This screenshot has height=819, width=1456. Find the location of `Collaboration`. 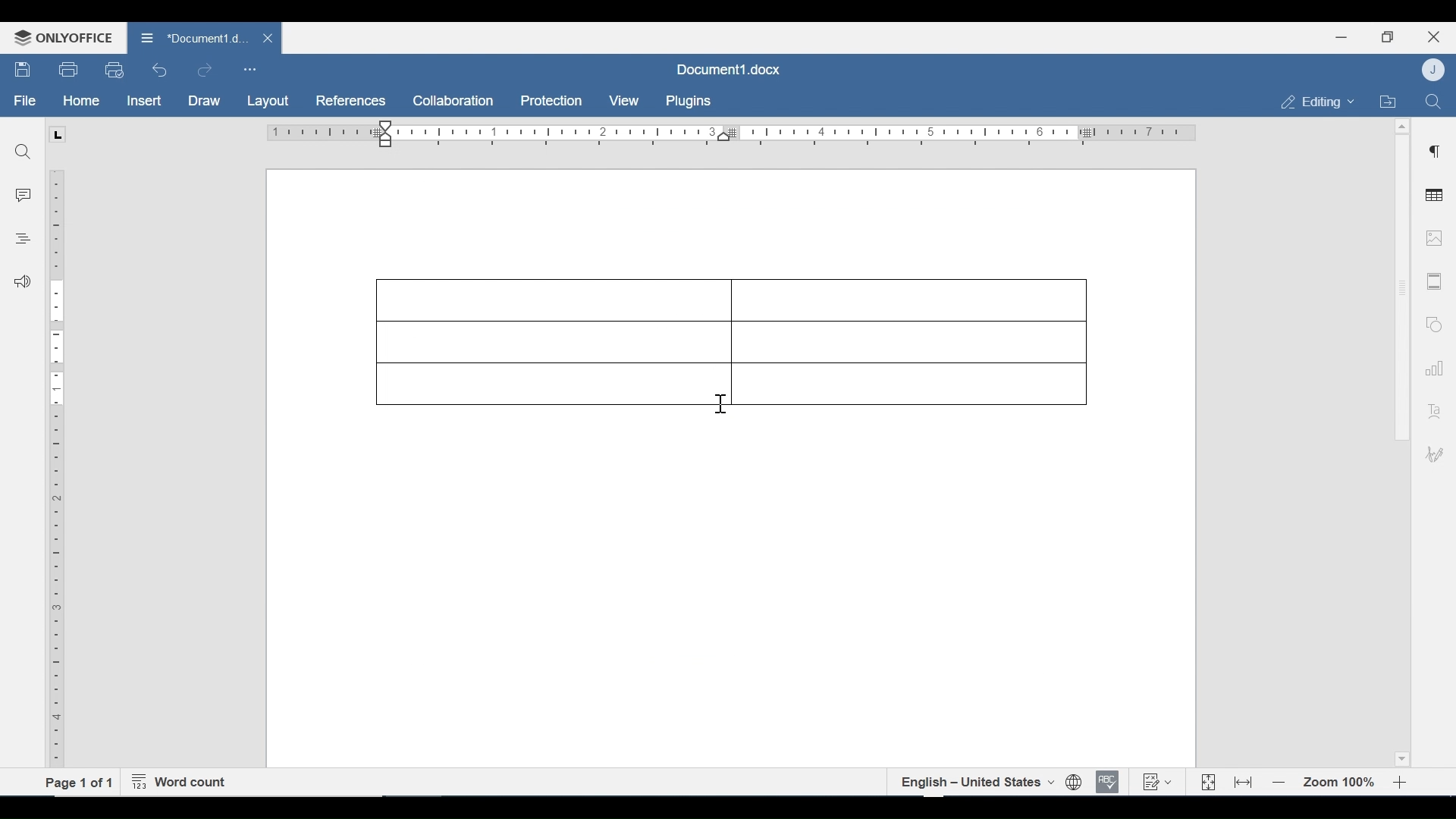

Collaboration is located at coordinates (454, 101).